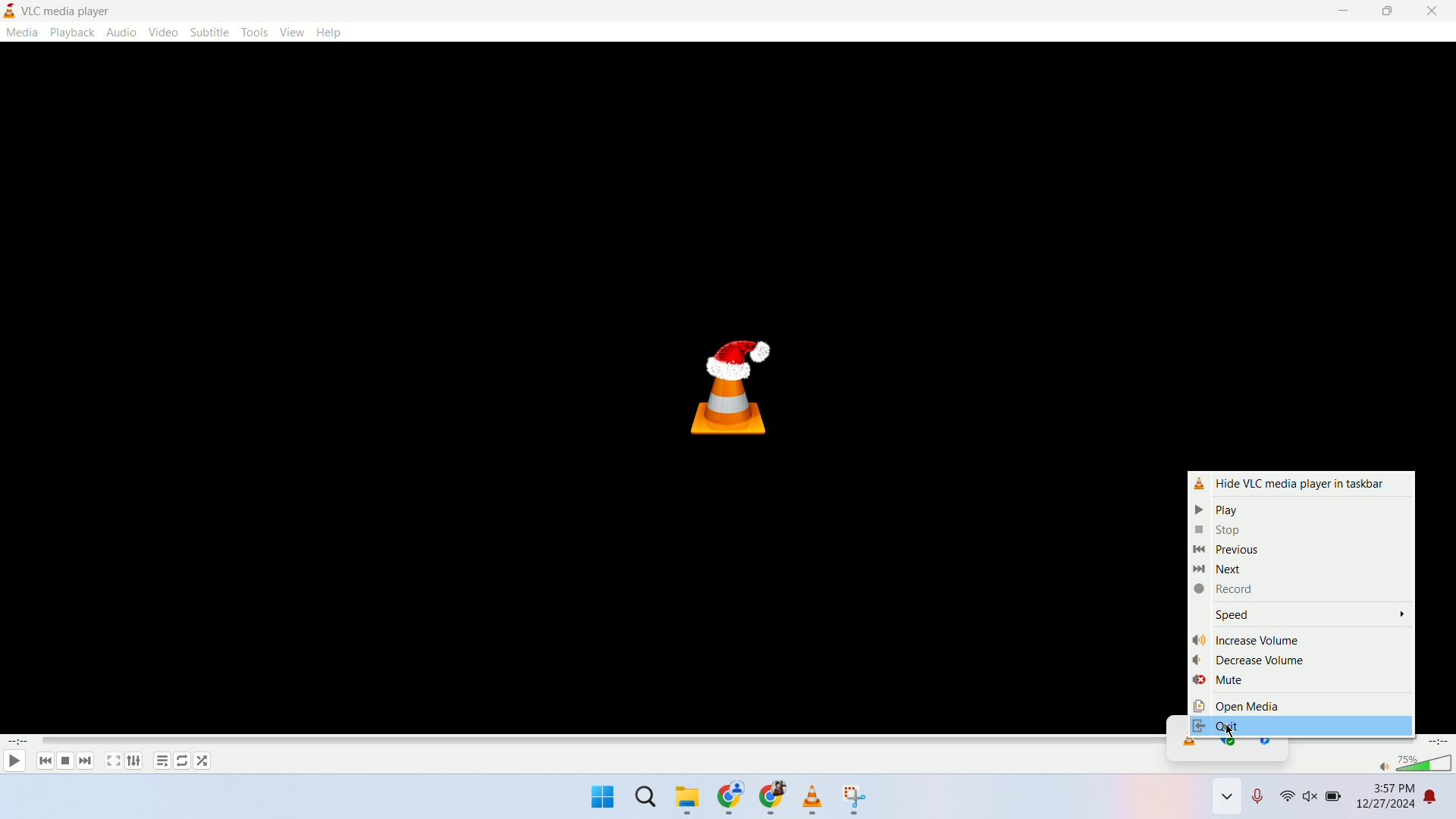  What do you see at coordinates (1261, 800) in the screenshot?
I see `microphone` at bounding box center [1261, 800].